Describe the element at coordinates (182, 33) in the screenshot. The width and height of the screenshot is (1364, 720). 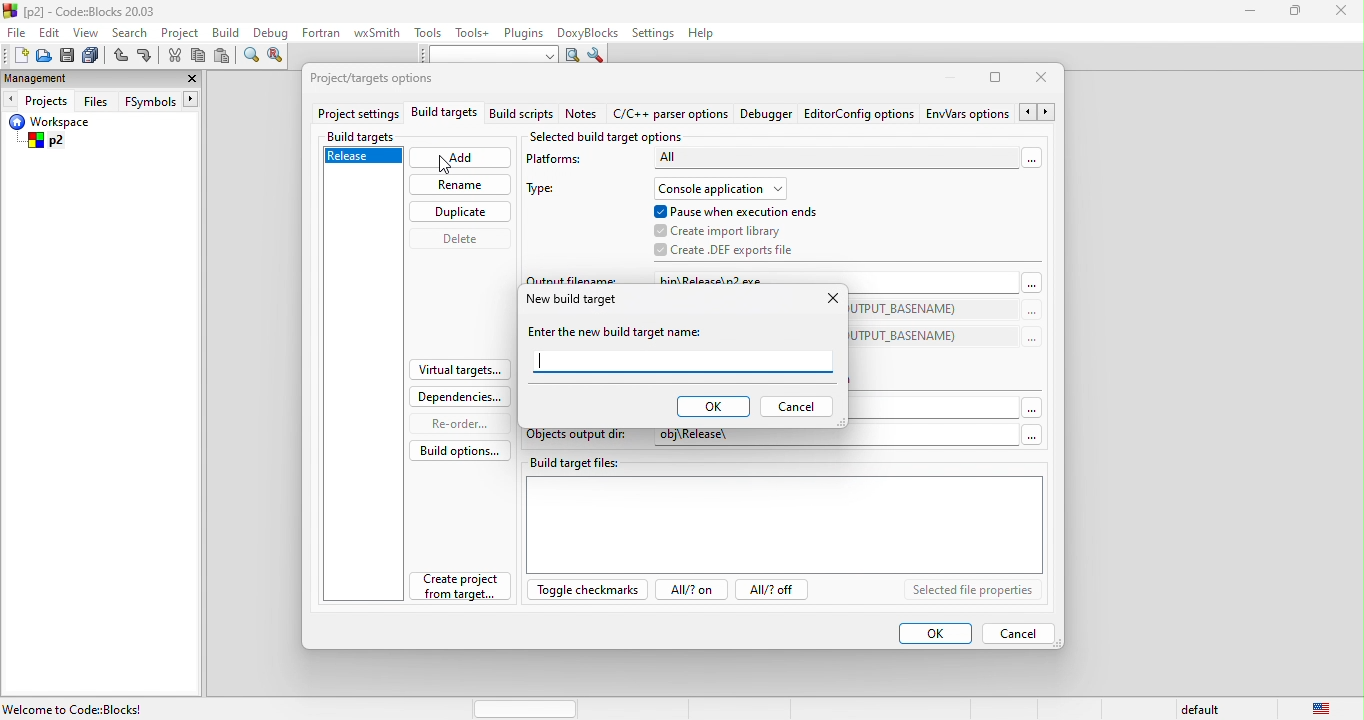
I see `project` at that location.